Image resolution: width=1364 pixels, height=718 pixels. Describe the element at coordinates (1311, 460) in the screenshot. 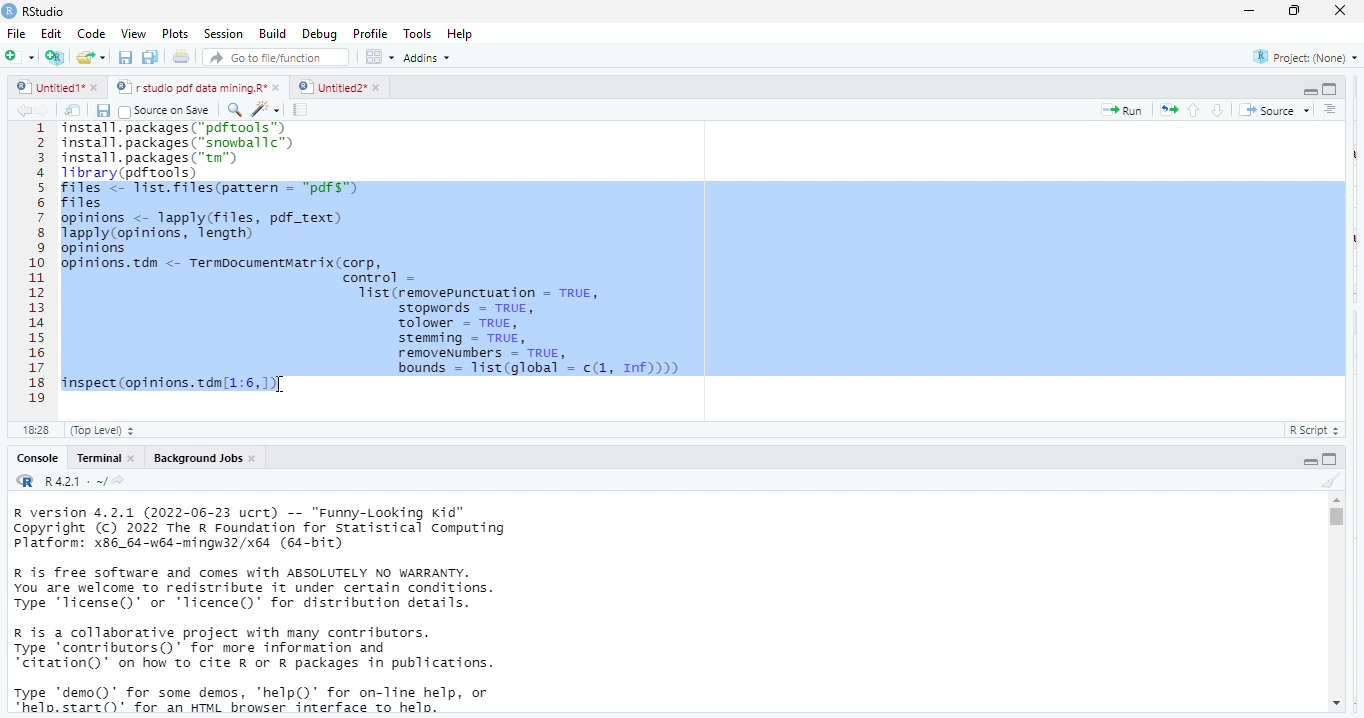

I see `hide r script` at that location.